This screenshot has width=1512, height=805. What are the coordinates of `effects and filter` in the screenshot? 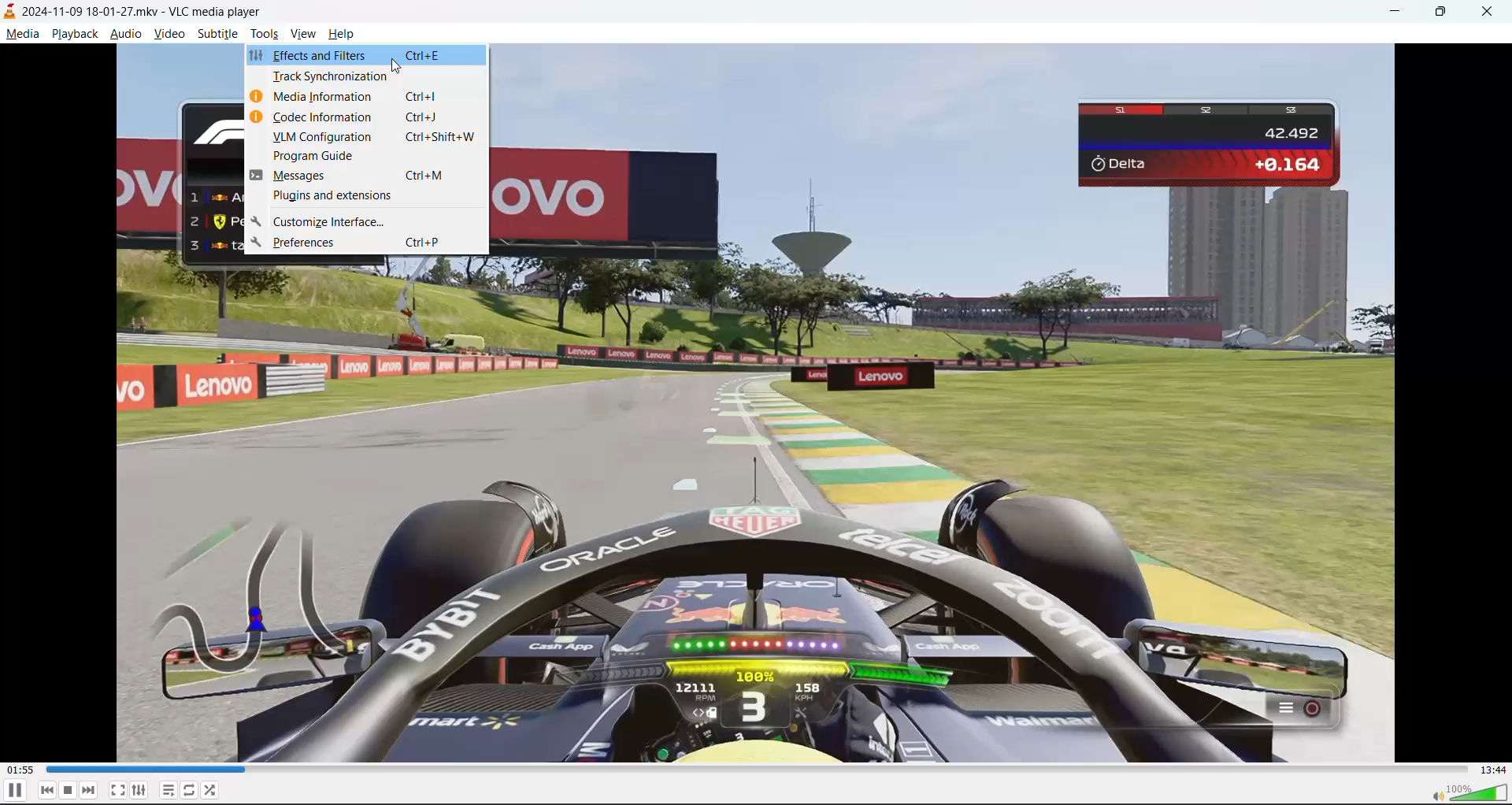 It's located at (365, 55).